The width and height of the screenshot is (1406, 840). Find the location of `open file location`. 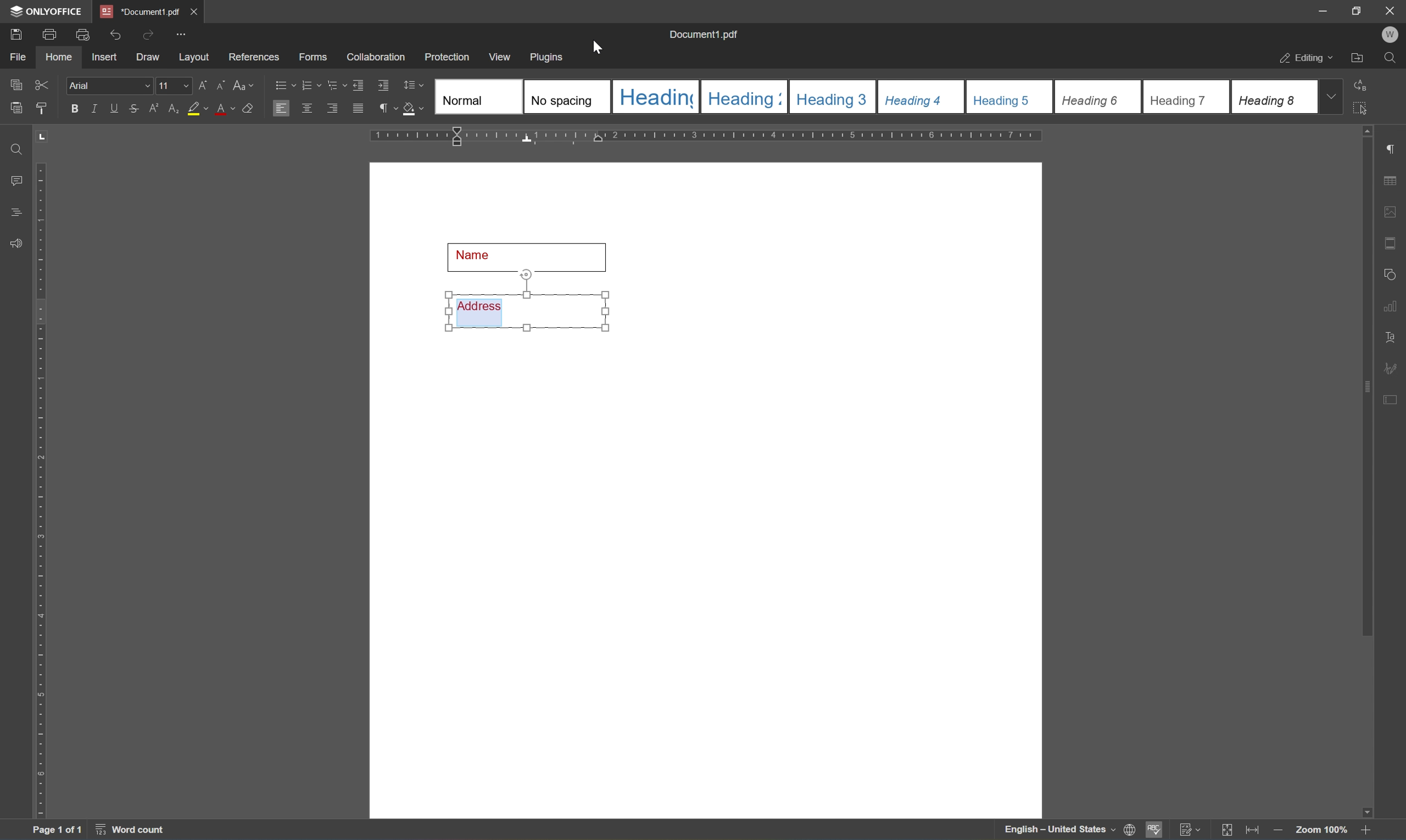

open file location is located at coordinates (1357, 58).